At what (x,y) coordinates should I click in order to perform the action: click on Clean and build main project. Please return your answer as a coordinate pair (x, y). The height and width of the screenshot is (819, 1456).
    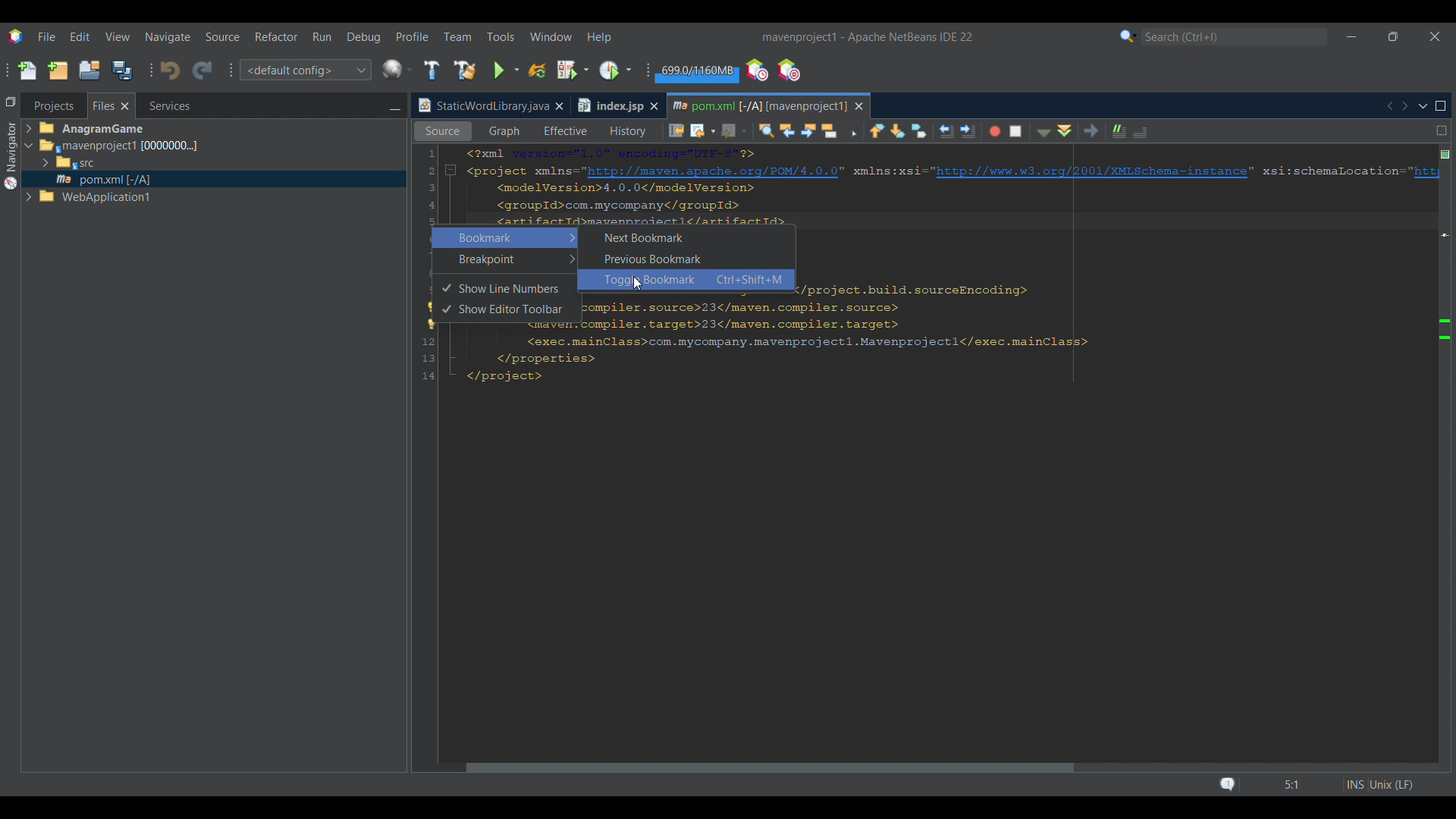
    Looking at the image, I should click on (465, 71).